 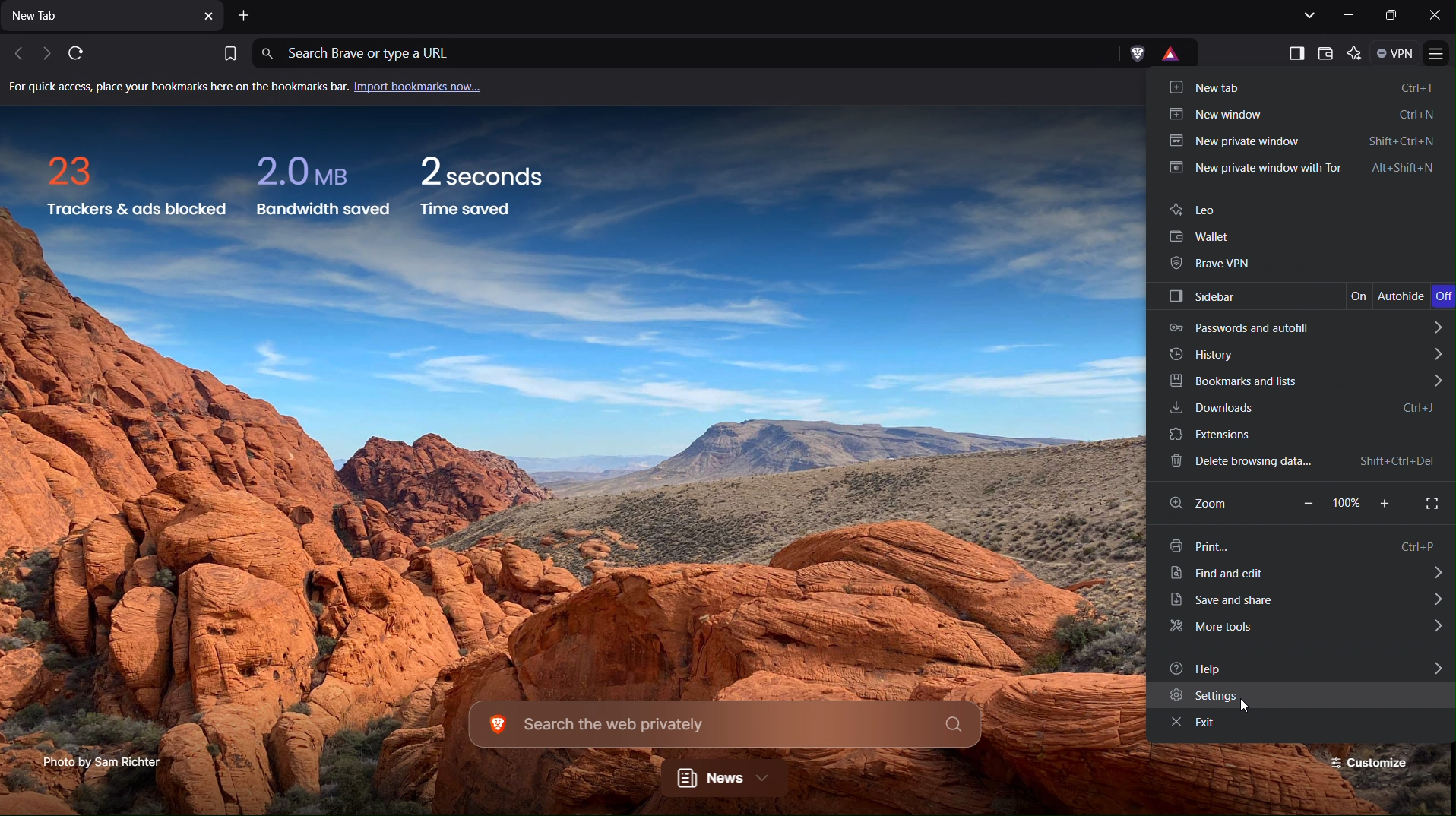 I want to click on New Tab, so click(x=1300, y=90).